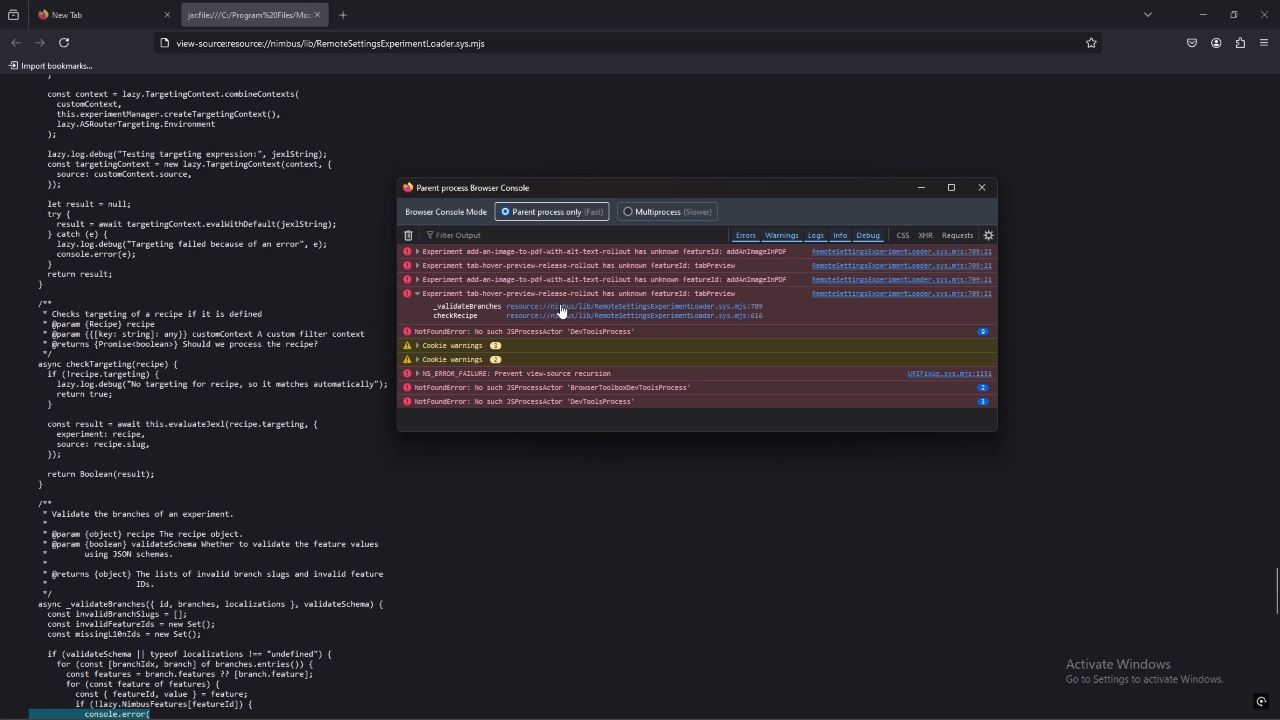 The height and width of the screenshot is (720, 1280). I want to click on maximize, so click(952, 188).